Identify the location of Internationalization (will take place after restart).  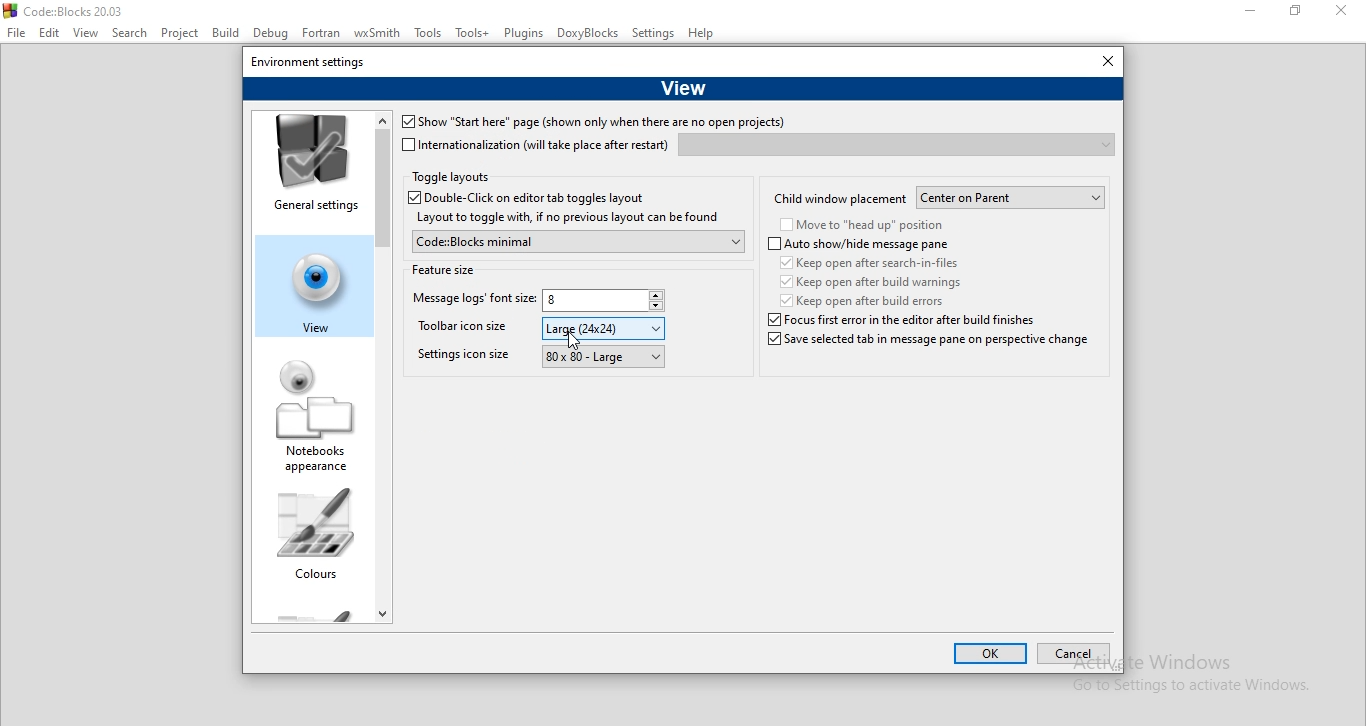
(536, 145).